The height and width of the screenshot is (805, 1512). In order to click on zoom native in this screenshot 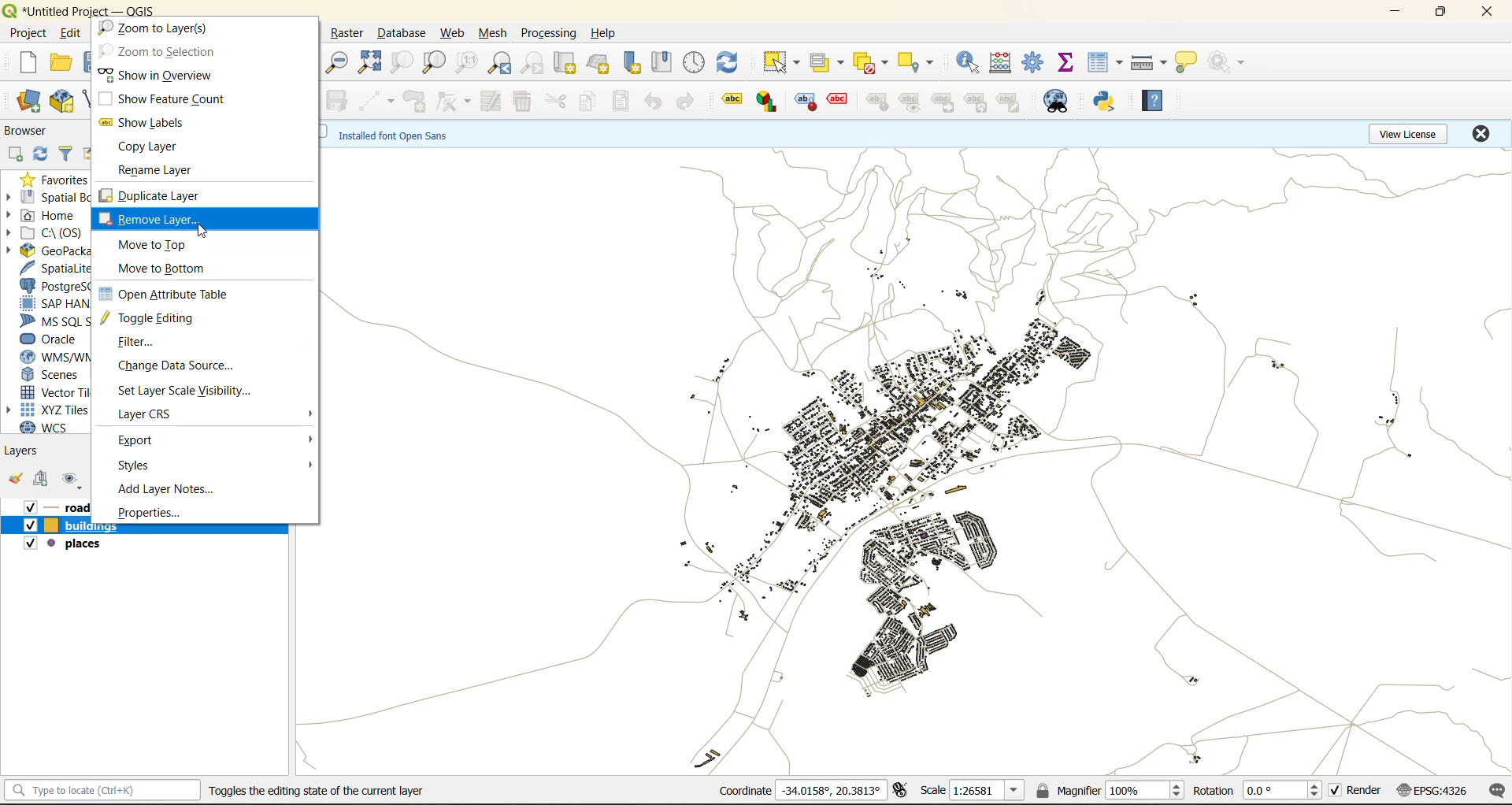, I will do `click(468, 62)`.